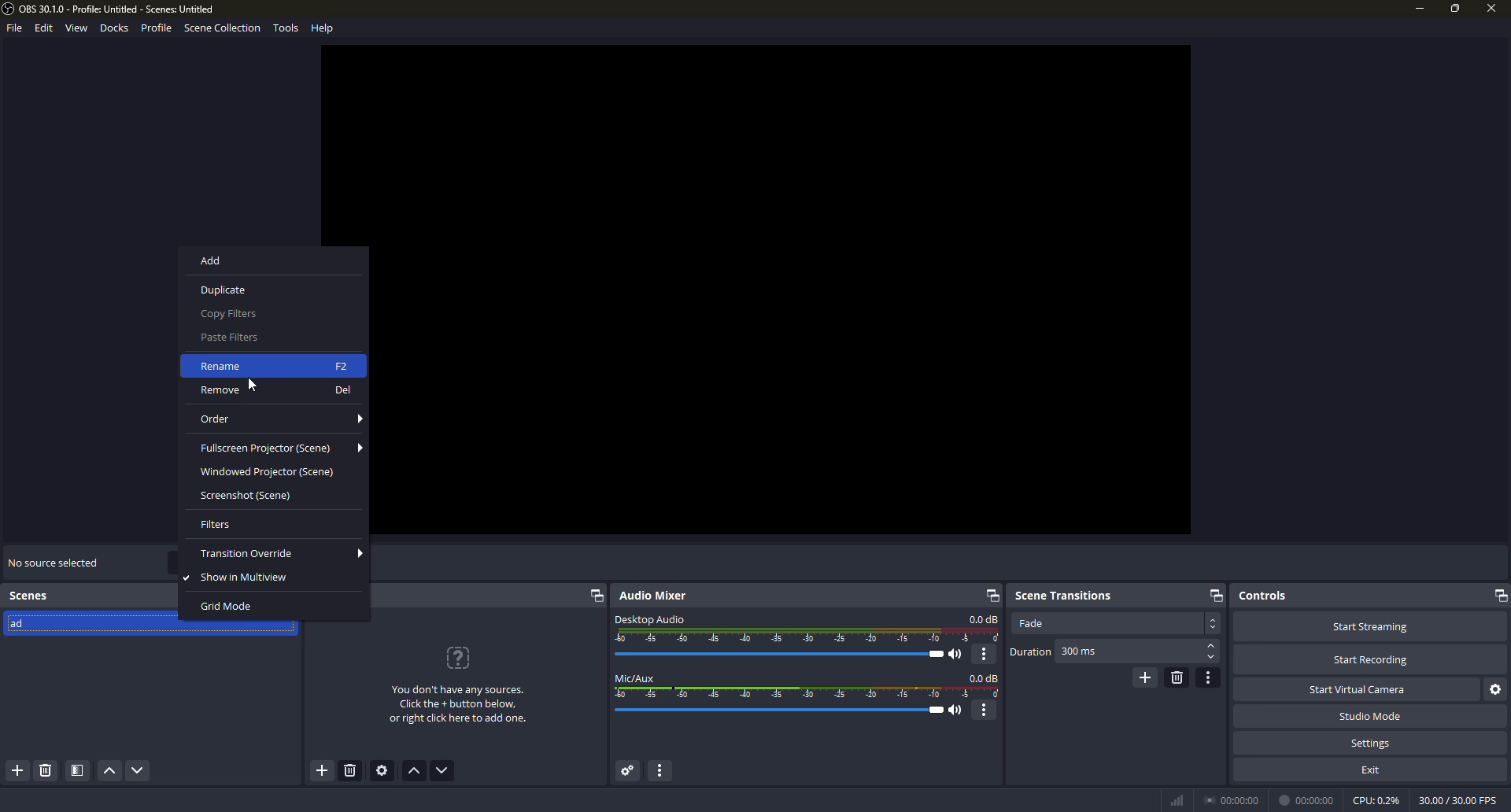 This screenshot has height=812, width=1511. What do you see at coordinates (19, 771) in the screenshot?
I see `add scene` at bounding box center [19, 771].